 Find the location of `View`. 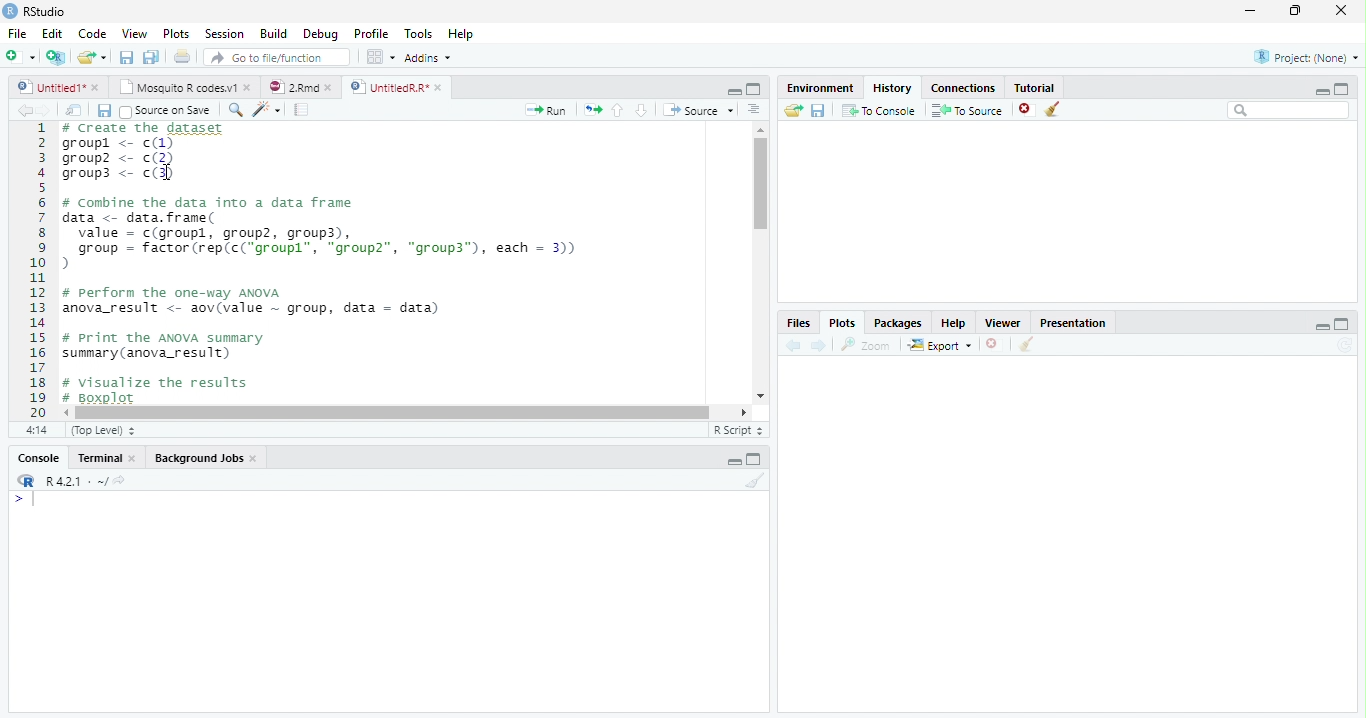

View is located at coordinates (134, 35).